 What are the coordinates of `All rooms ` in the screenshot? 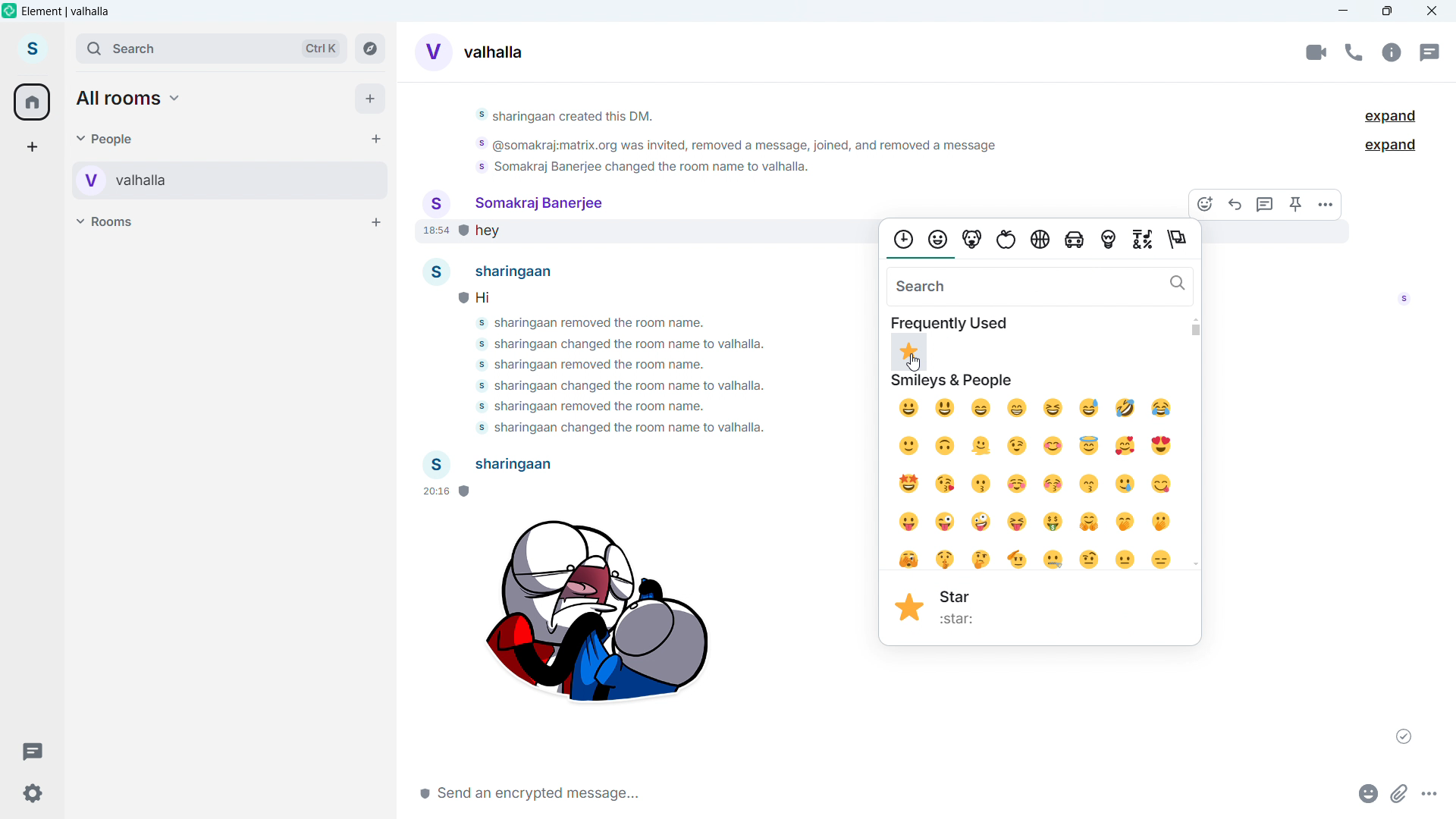 It's located at (130, 99).